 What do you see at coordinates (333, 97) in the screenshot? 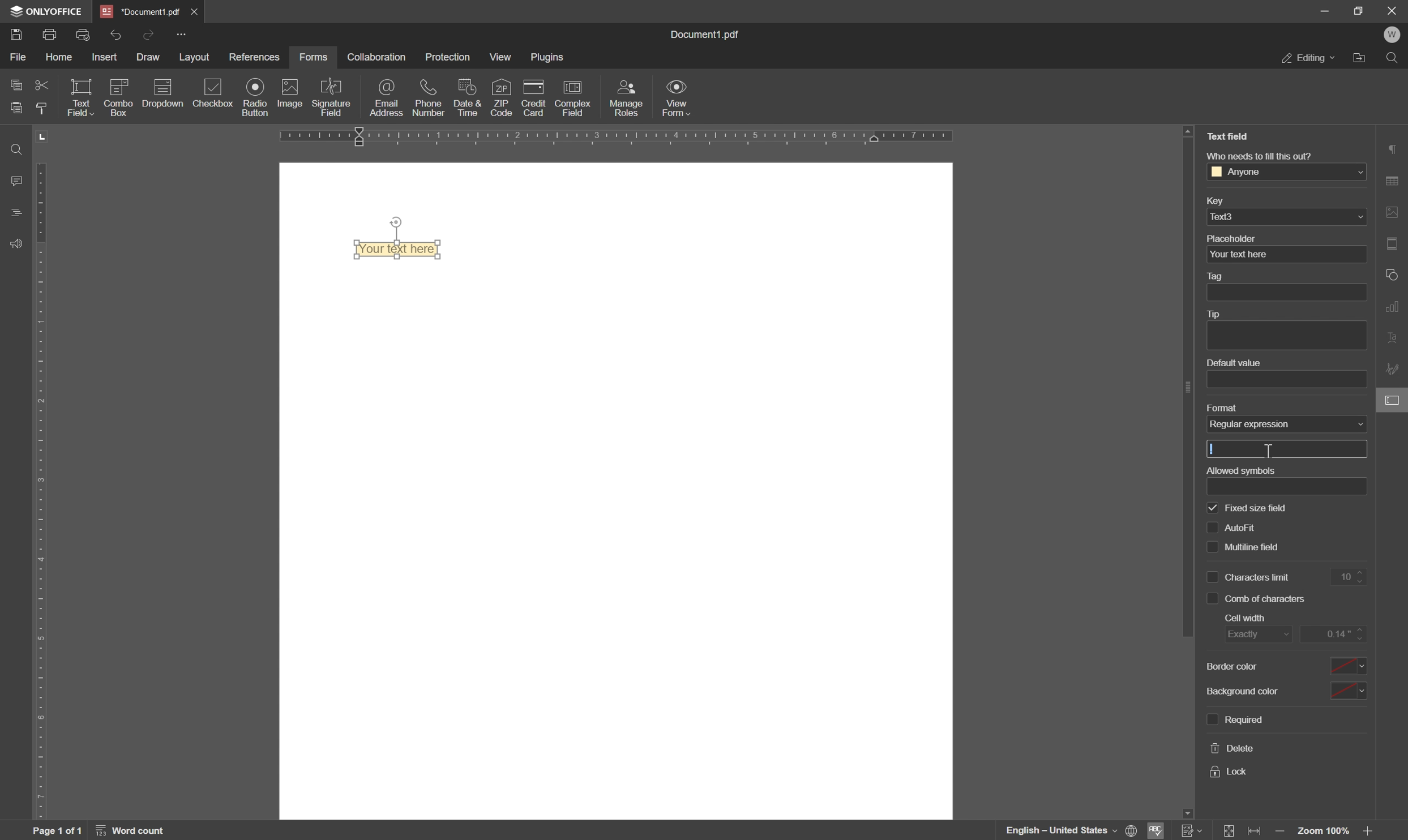
I see `signature field` at bounding box center [333, 97].